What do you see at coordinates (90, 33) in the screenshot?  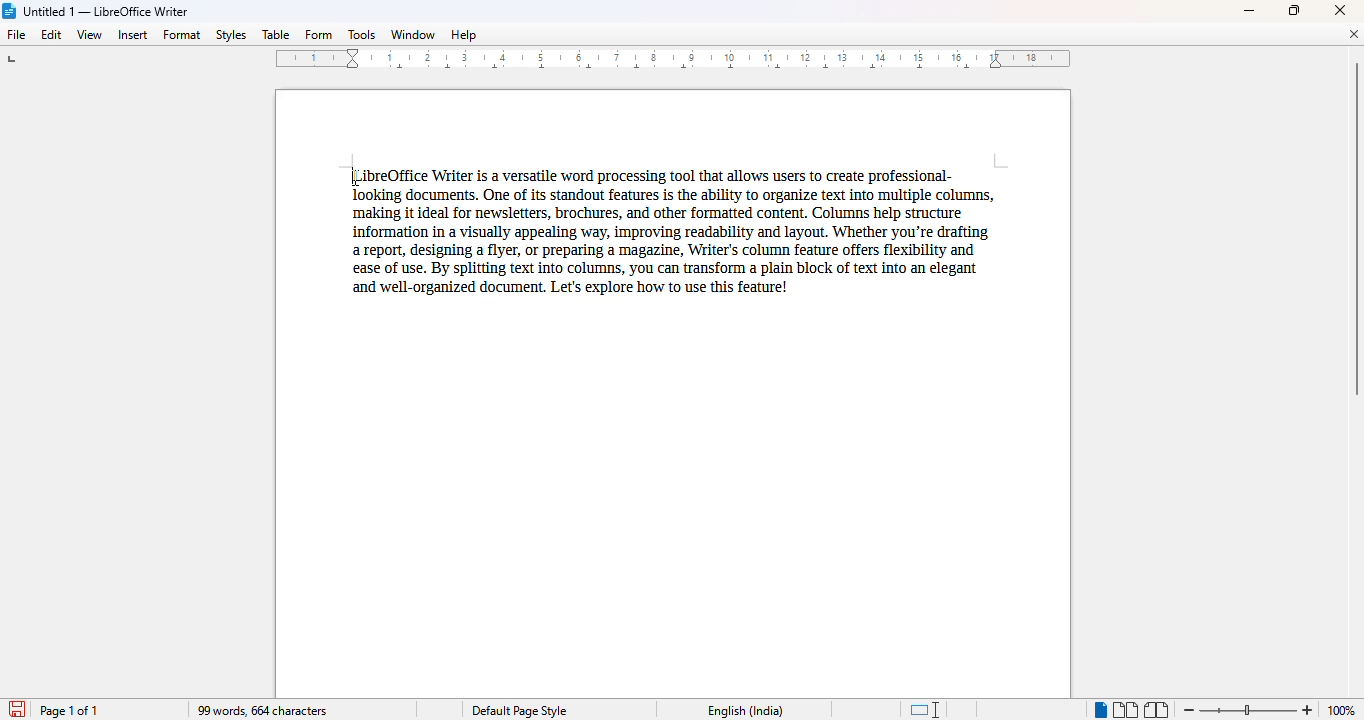 I see `view` at bounding box center [90, 33].